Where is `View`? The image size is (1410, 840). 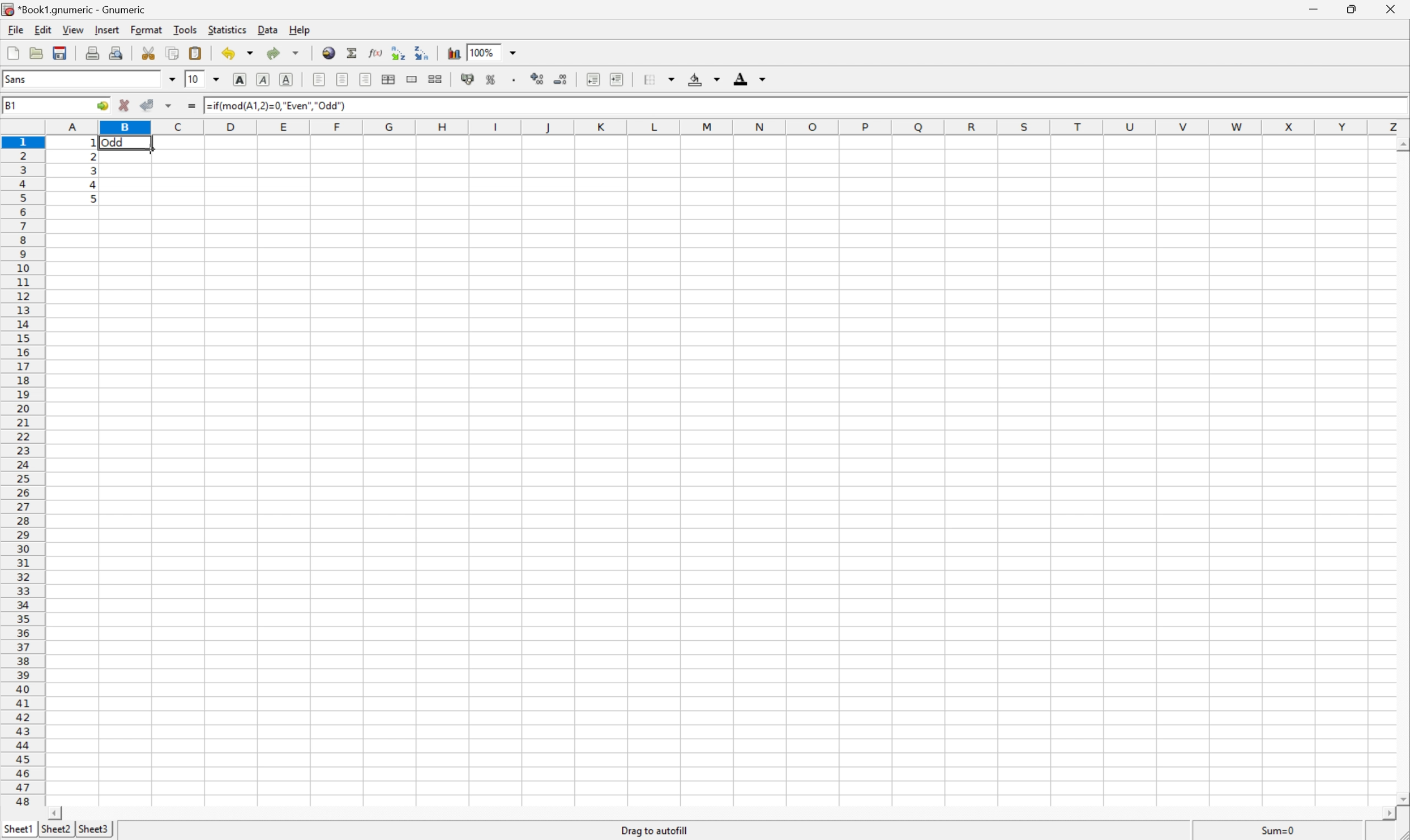 View is located at coordinates (73, 29).